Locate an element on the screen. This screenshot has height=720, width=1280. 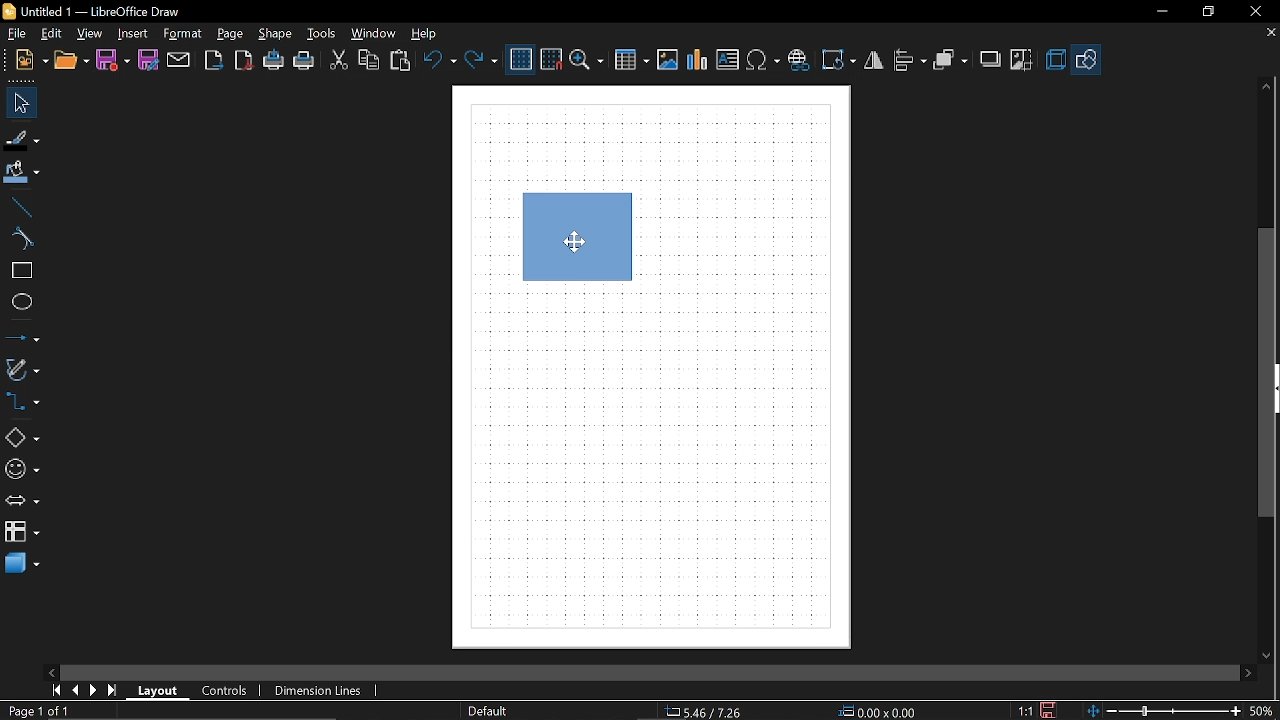
Restore down is located at coordinates (1204, 12).